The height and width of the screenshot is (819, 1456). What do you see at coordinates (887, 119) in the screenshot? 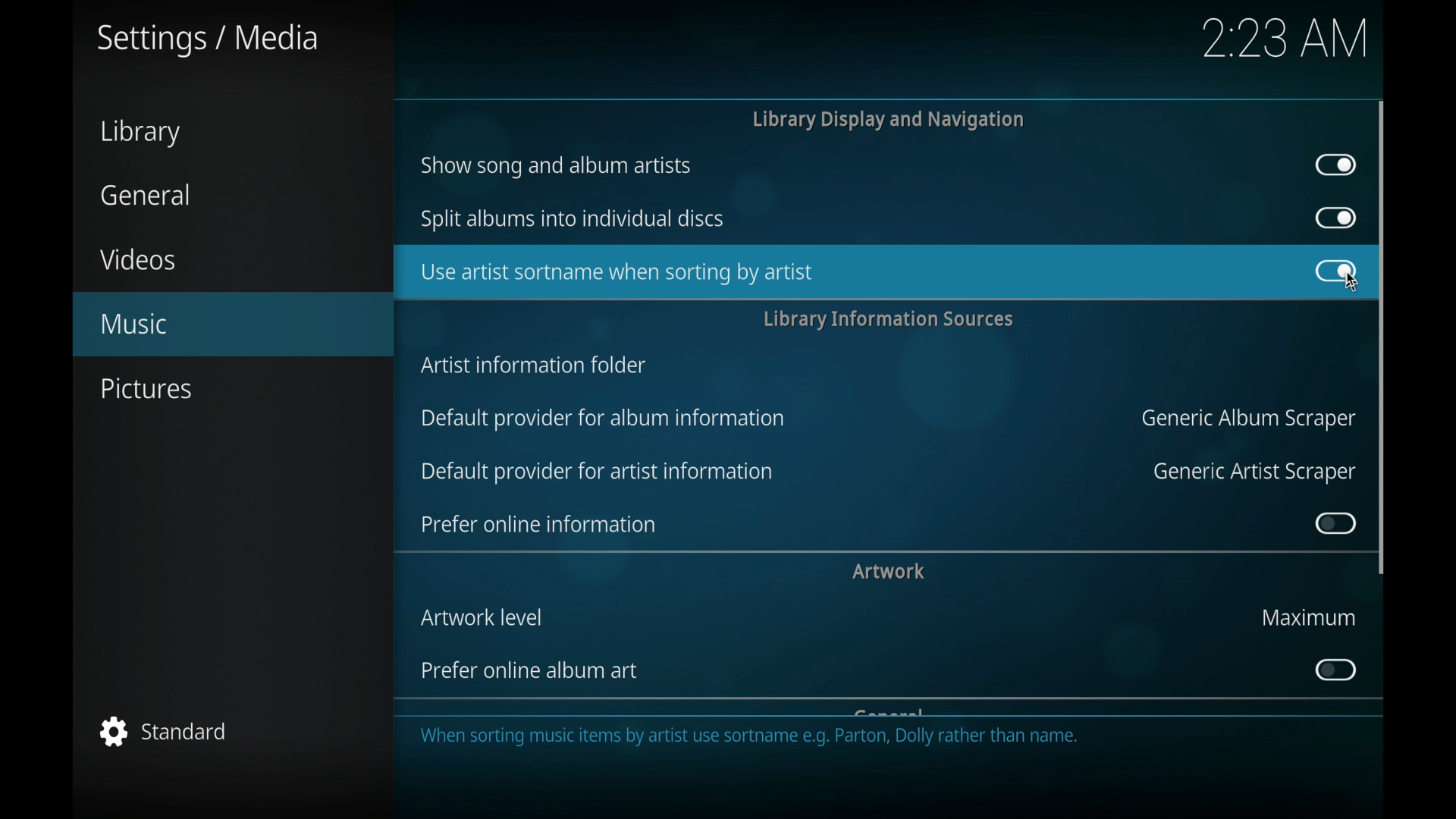
I see `library display and navigation` at bounding box center [887, 119].